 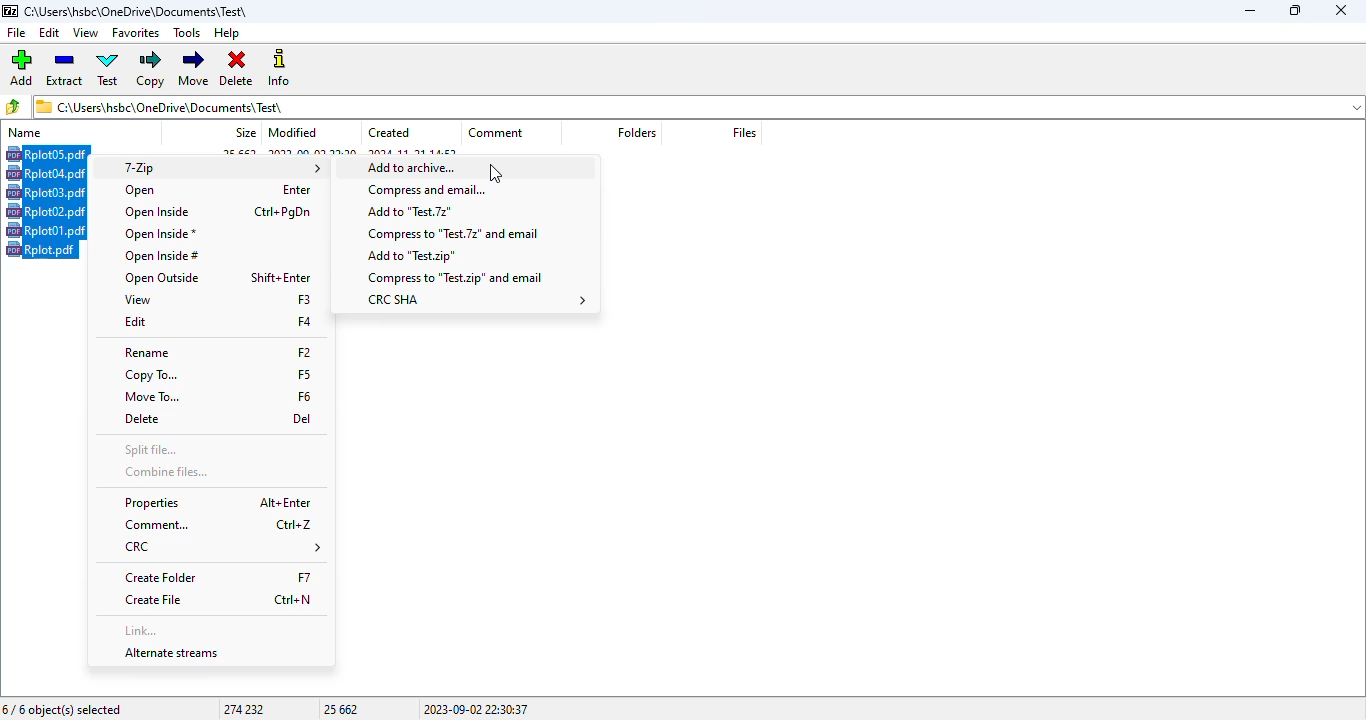 What do you see at coordinates (476, 709) in the screenshot?
I see `2023-09-02 22:30:37` at bounding box center [476, 709].